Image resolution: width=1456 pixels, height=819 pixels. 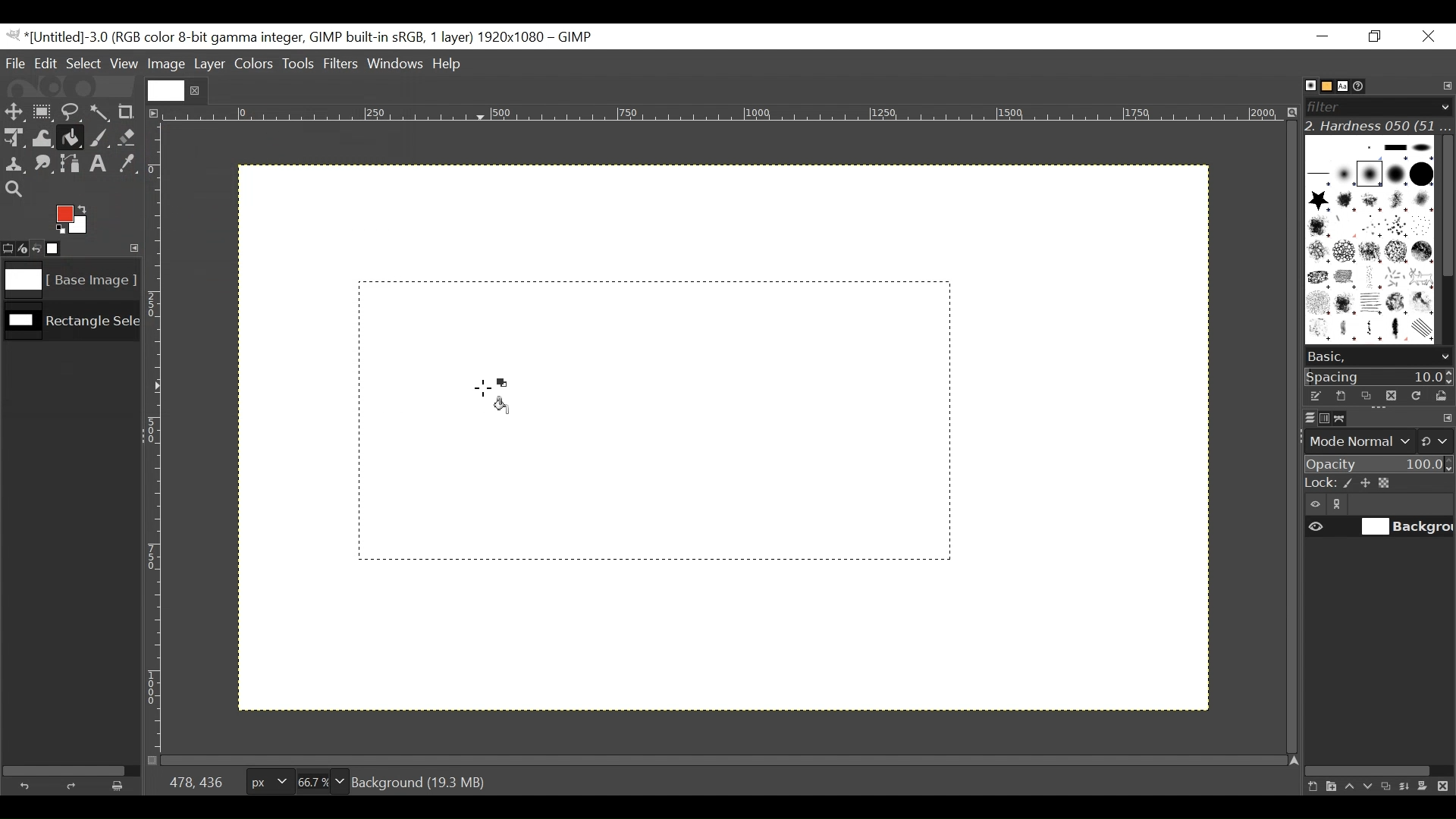 What do you see at coordinates (45, 165) in the screenshot?
I see `Smudge tool` at bounding box center [45, 165].